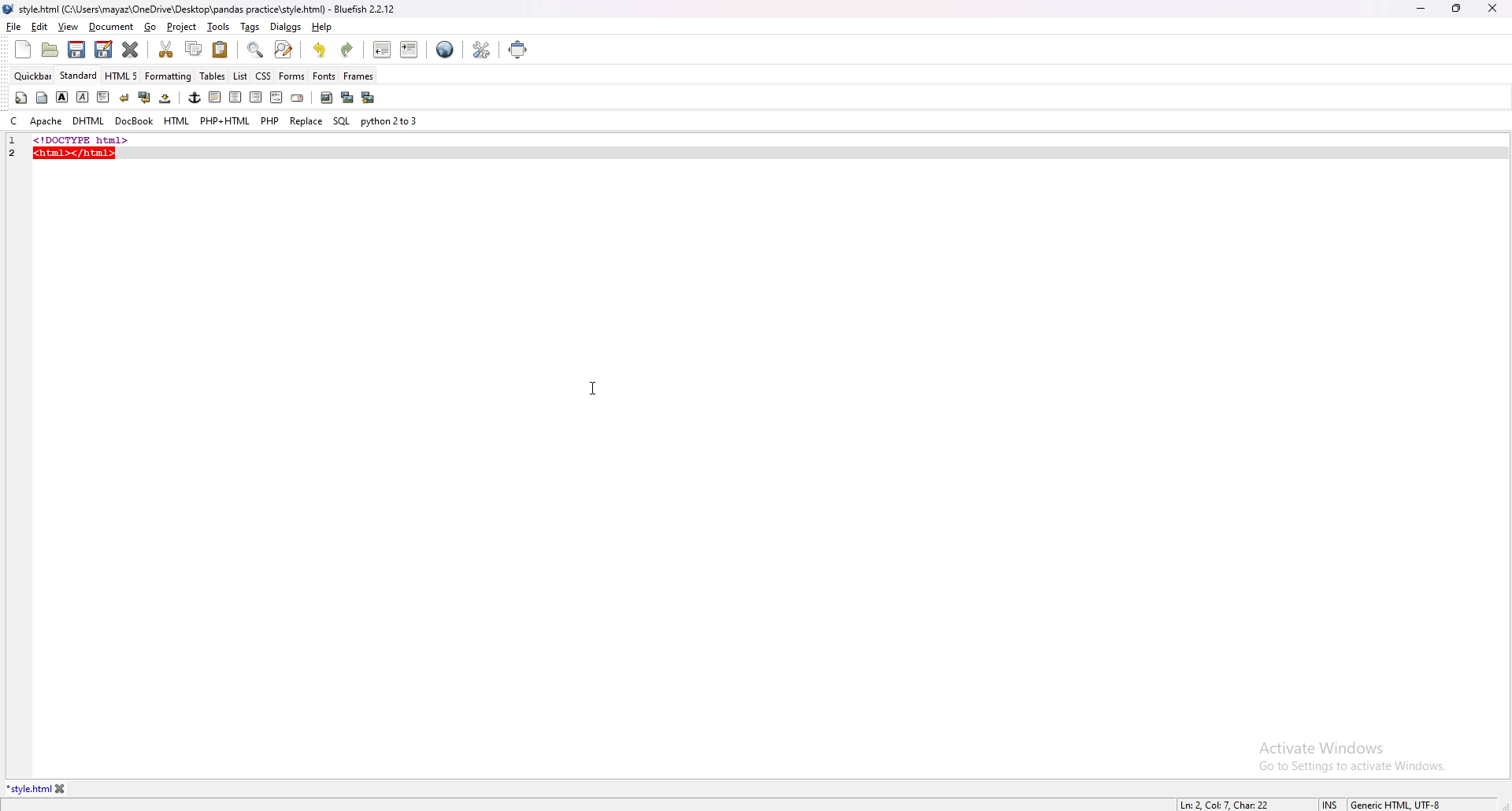 This screenshot has width=1512, height=811. Describe the element at coordinates (1456, 8) in the screenshot. I see `resize` at that location.